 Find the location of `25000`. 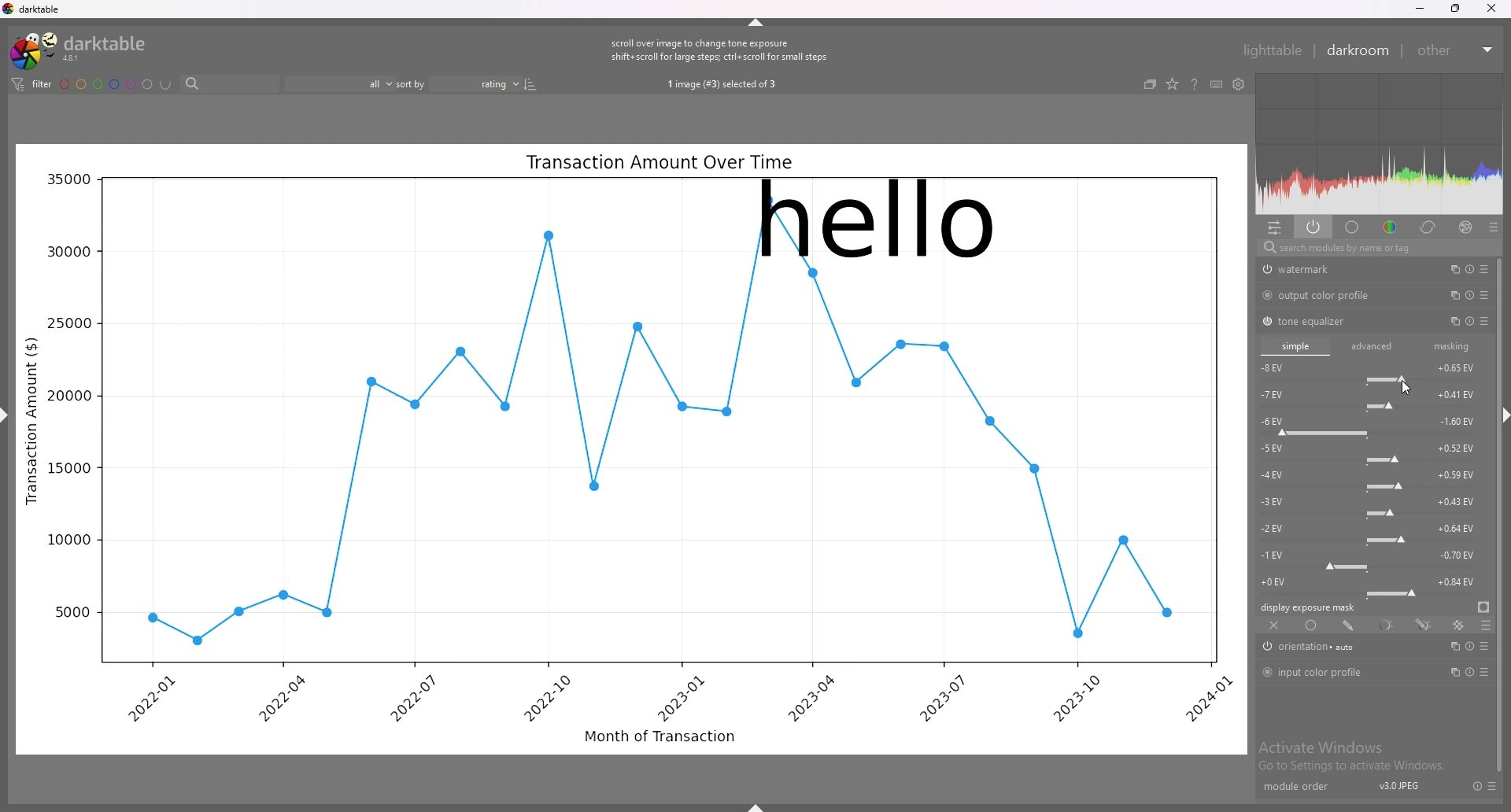

25000 is located at coordinates (68, 322).